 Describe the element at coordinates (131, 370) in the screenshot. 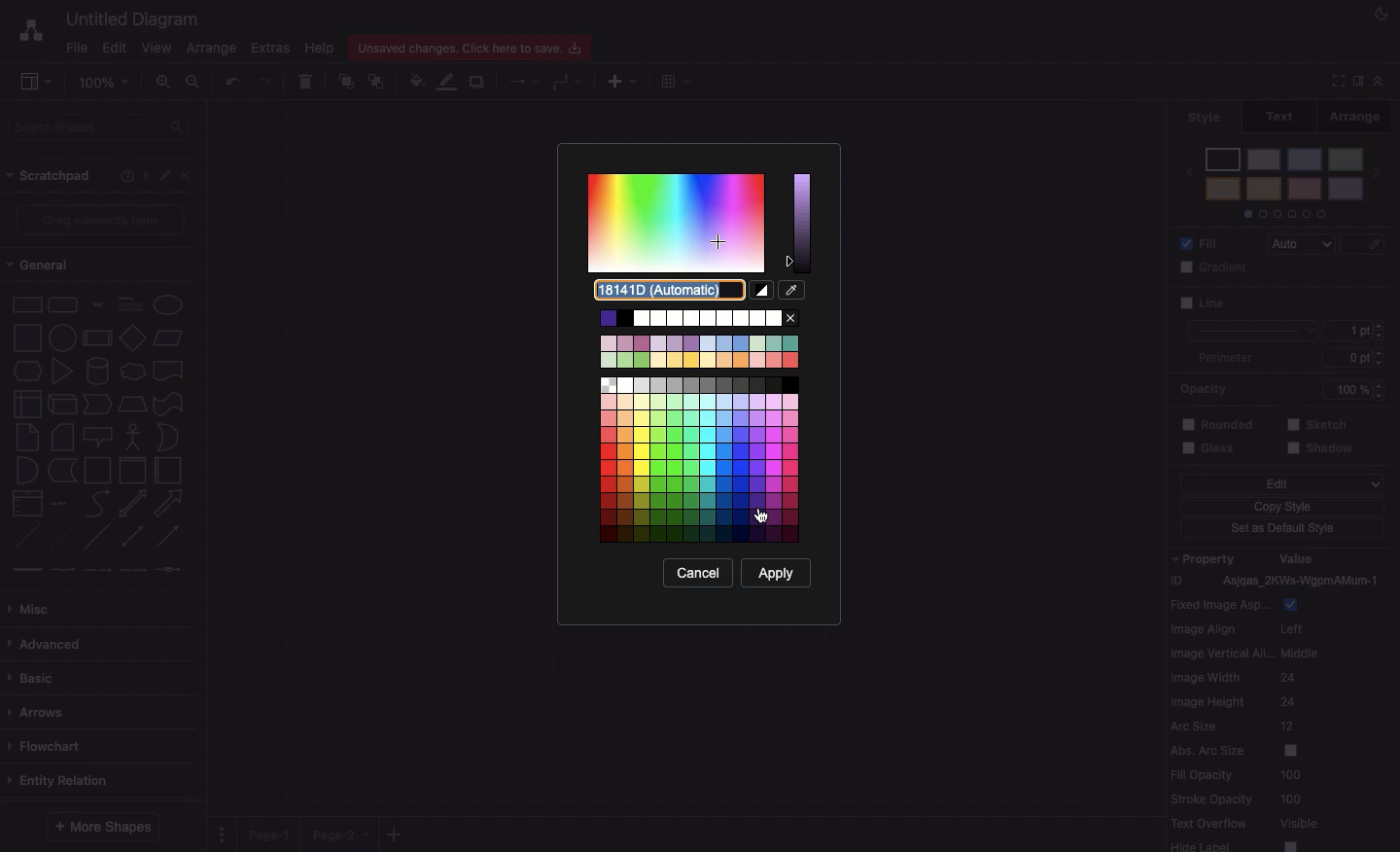

I see `cloud` at that location.